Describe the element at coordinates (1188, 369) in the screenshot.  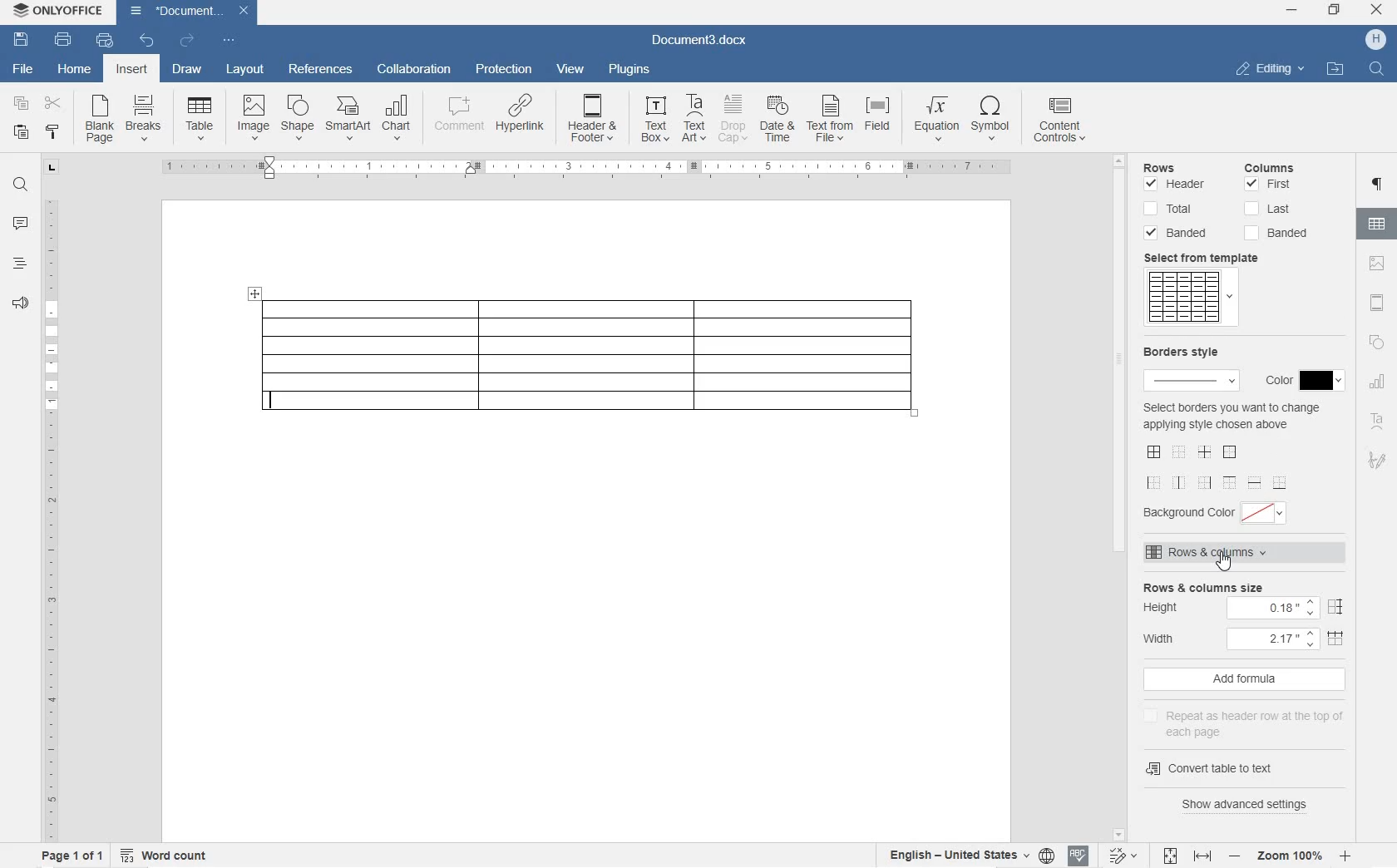
I see `border style & color` at that location.